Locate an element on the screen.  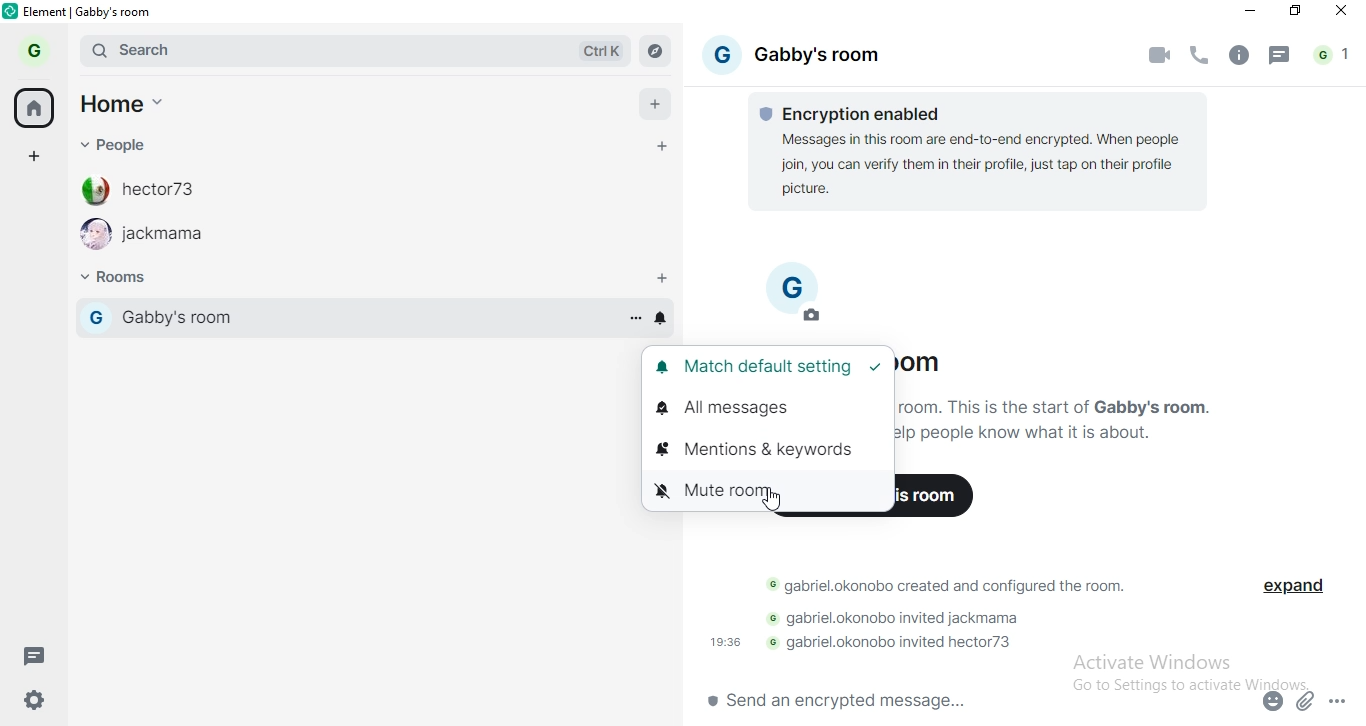
elements is located at coordinates (99, 12).